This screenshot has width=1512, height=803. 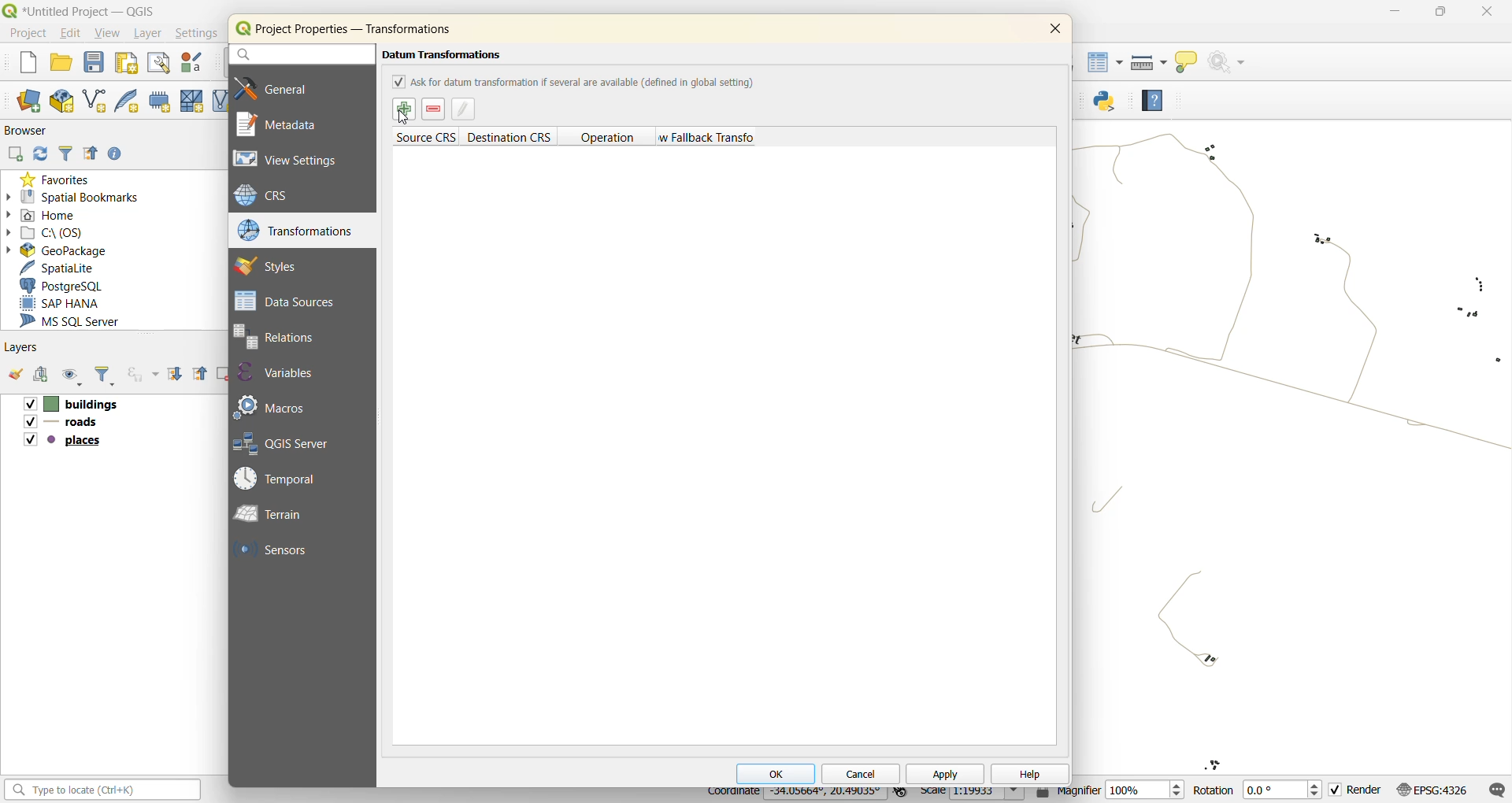 What do you see at coordinates (301, 55) in the screenshot?
I see `search` at bounding box center [301, 55].